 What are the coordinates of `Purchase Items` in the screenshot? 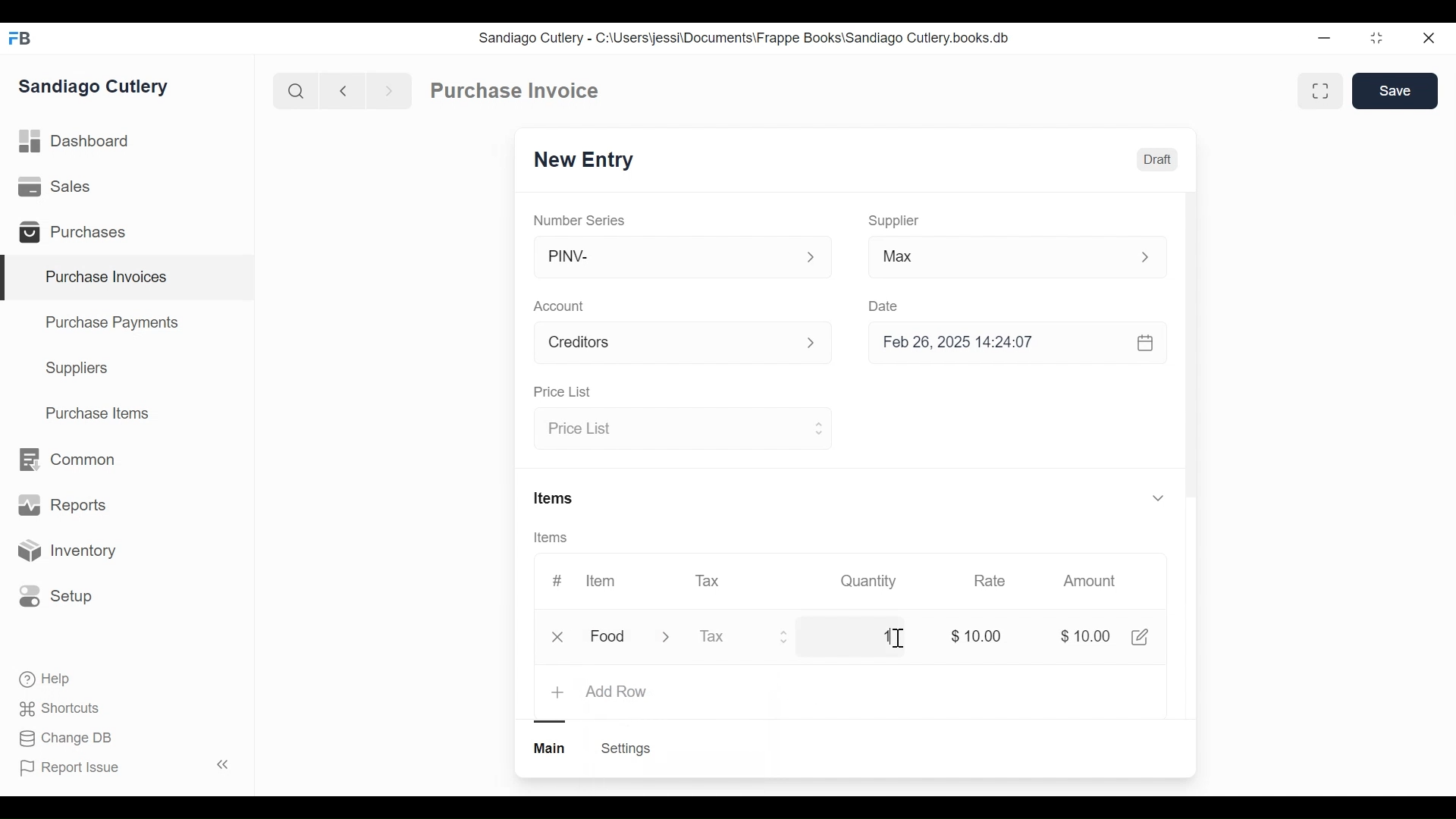 It's located at (98, 415).